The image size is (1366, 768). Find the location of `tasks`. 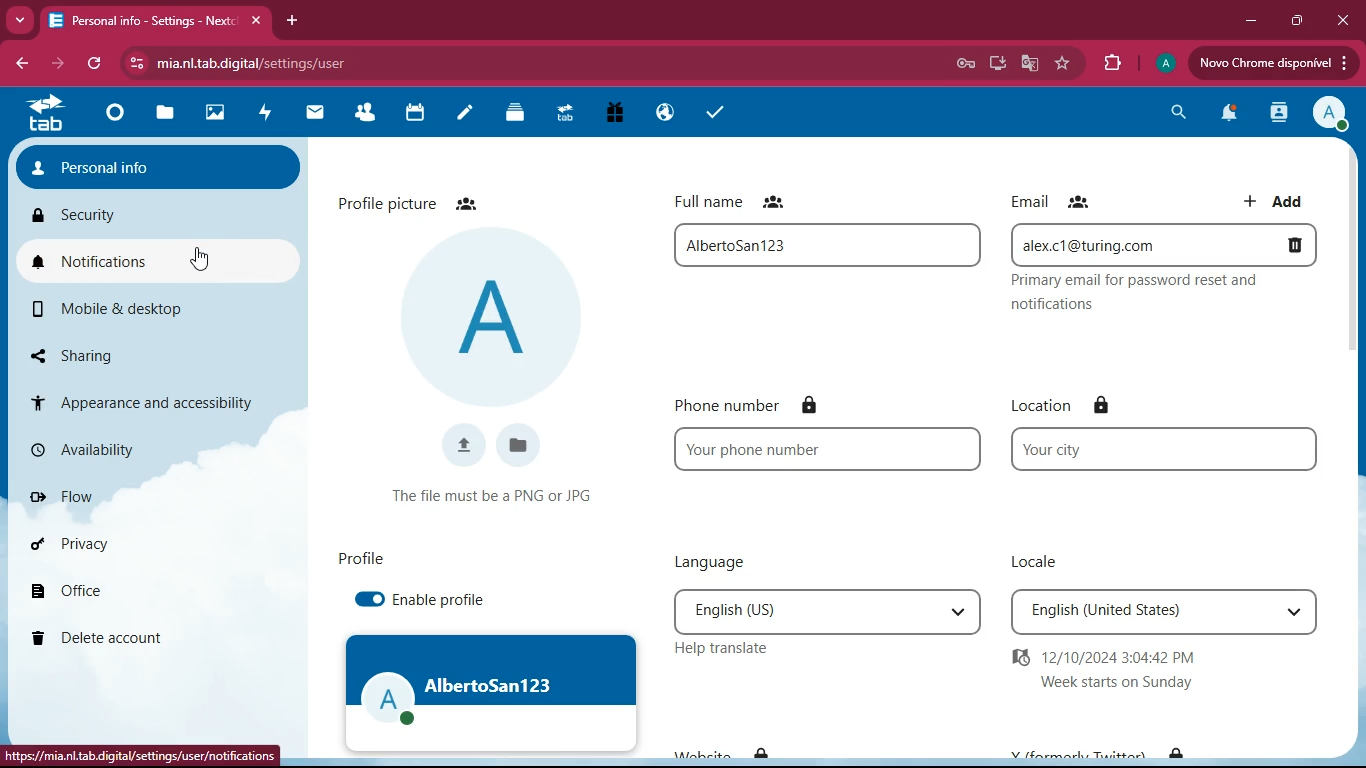

tasks is located at coordinates (709, 113).